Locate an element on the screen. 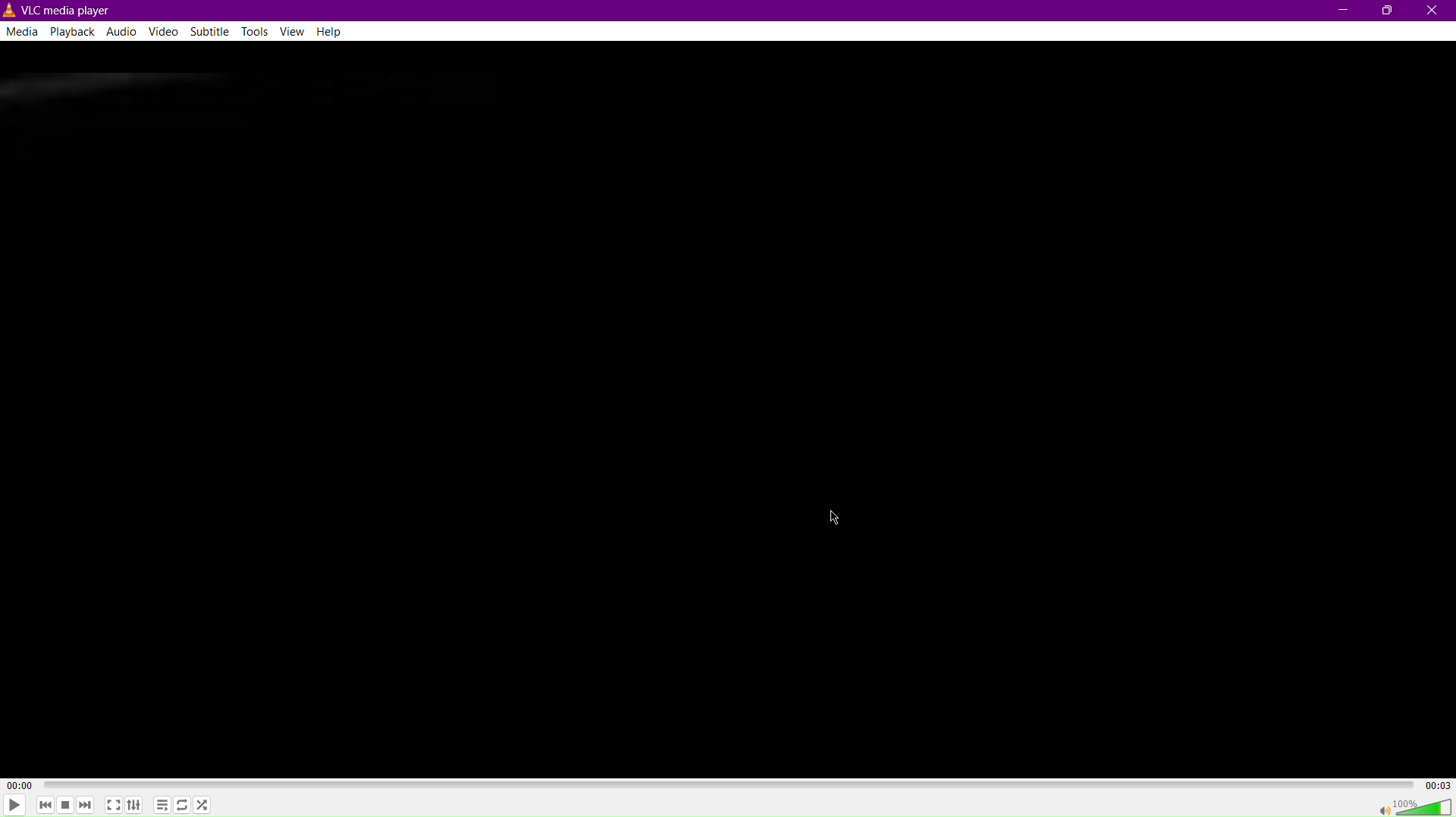 The height and width of the screenshot is (817, 1456). Play is located at coordinates (17, 805).